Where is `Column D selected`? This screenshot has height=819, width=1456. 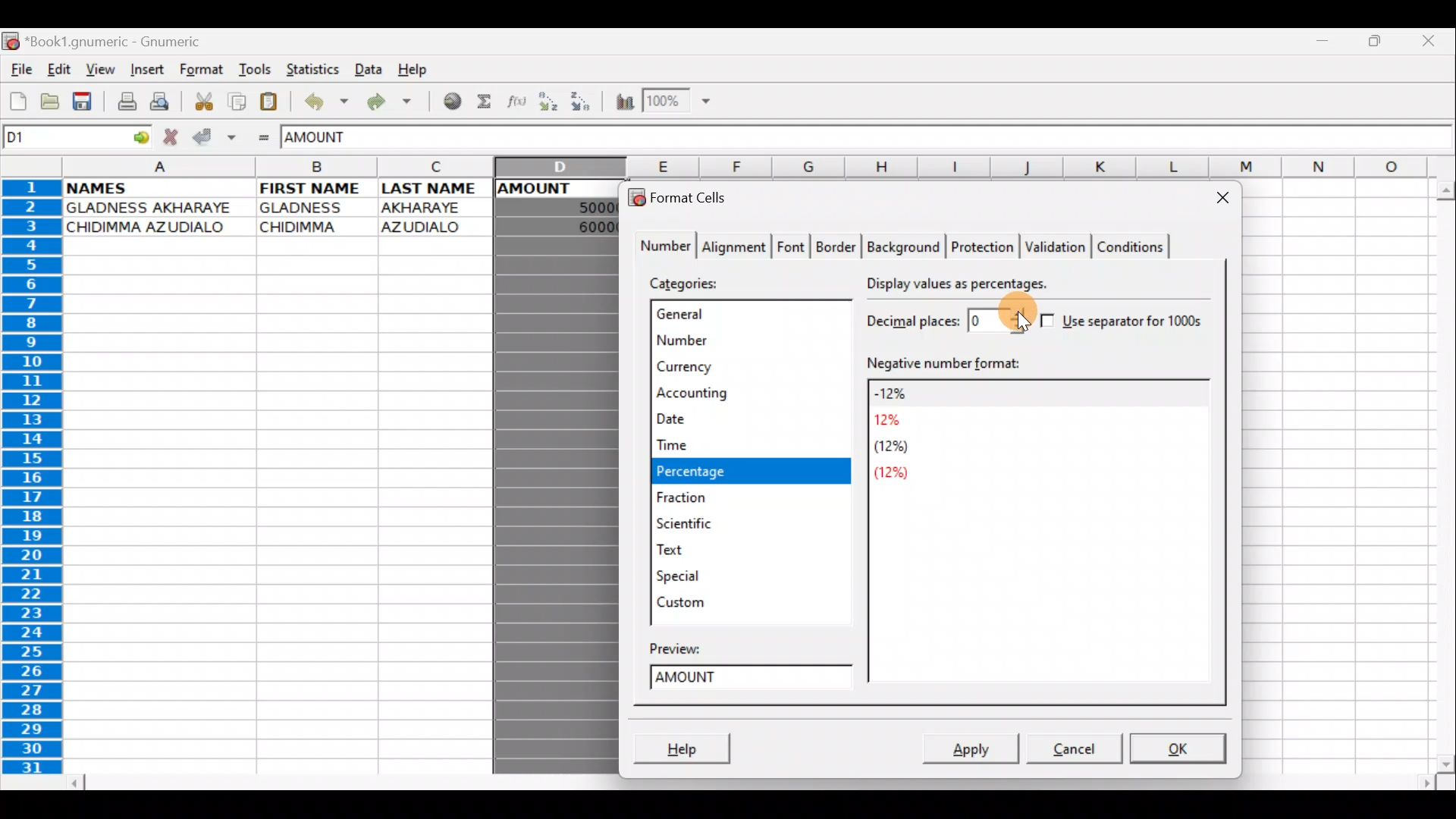
Column D selected is located at coordinates (557, 500).